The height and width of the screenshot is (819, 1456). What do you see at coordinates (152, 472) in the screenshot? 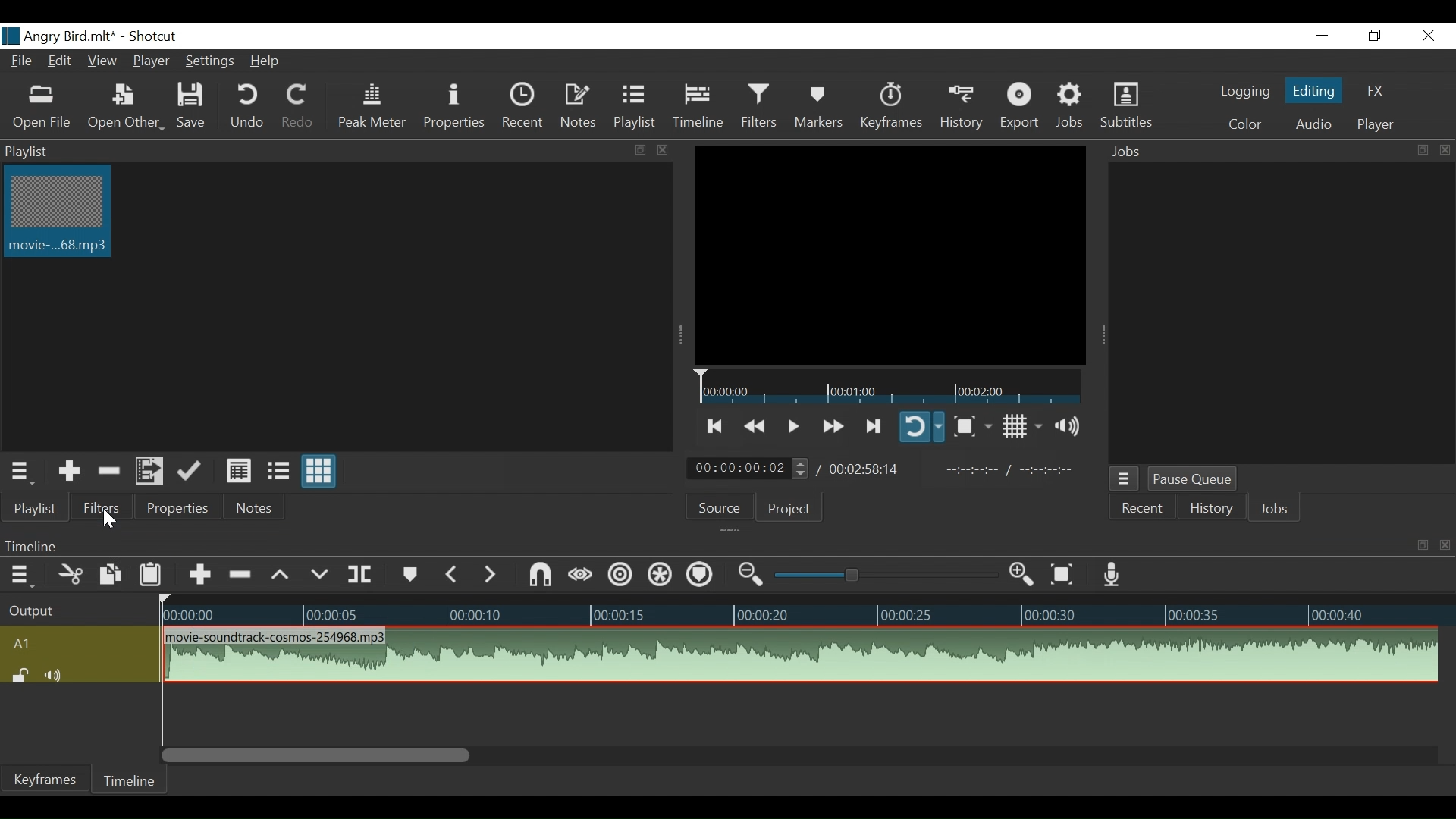
I see `Add file to the playlist` at bounding box center [152, 472].